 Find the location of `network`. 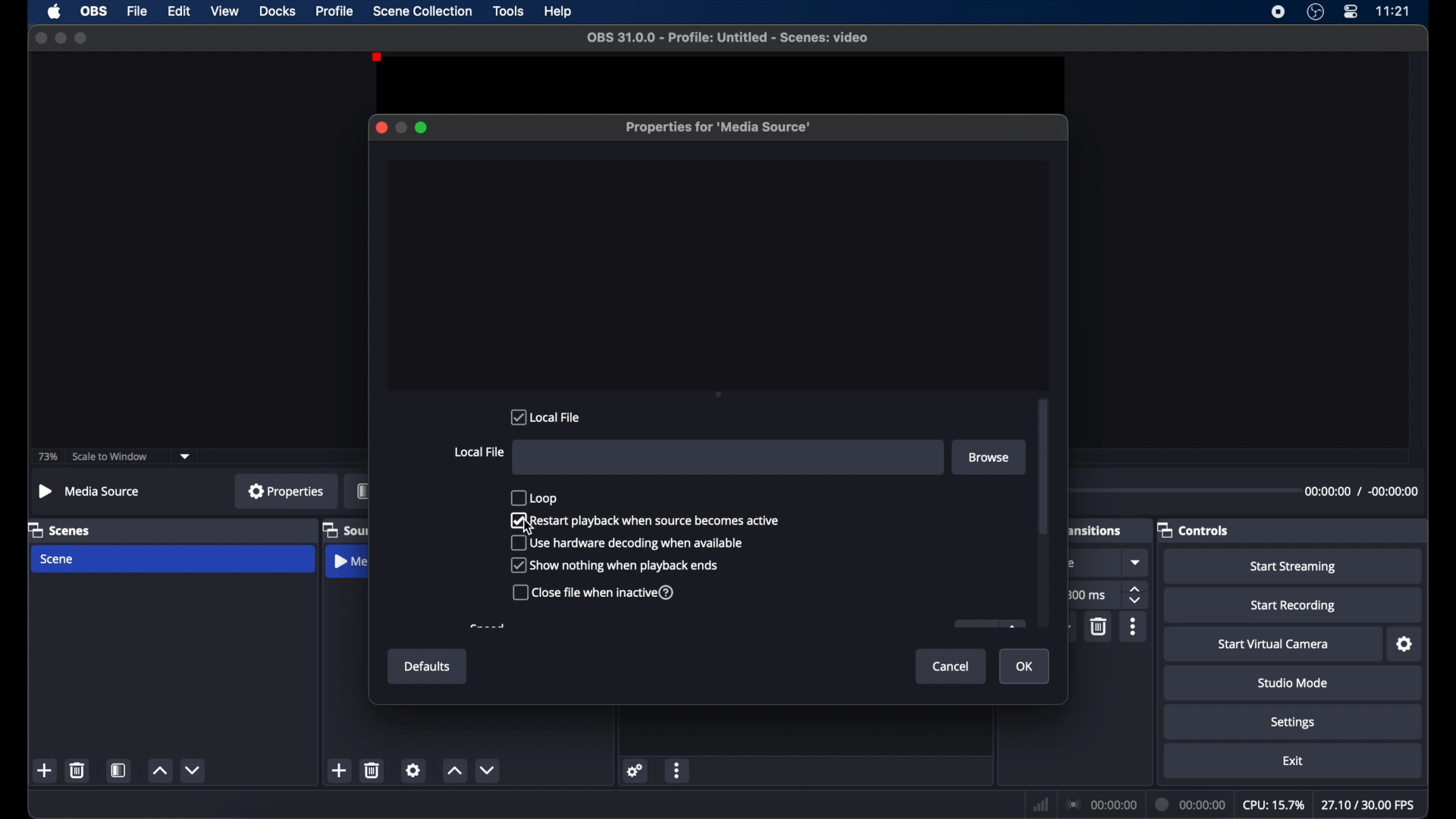

network is located at coordinates (1041, 803).